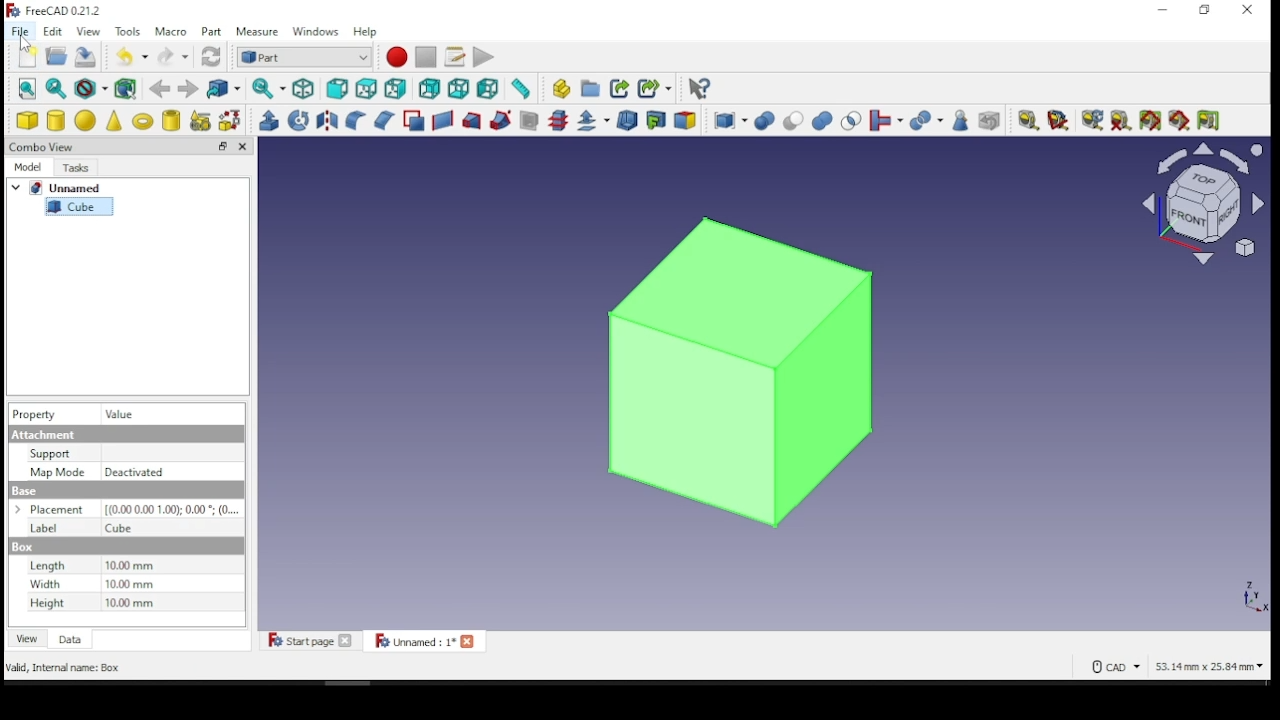 This screenshot has height=720, width=1280. I want to click on make face from wires, so click(415, 121).